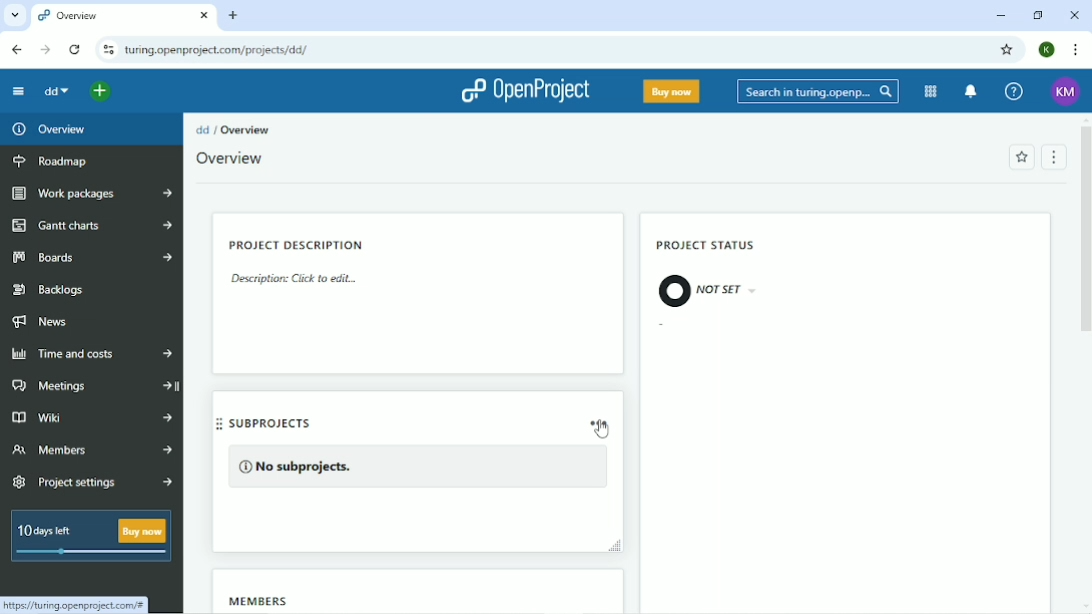 The image size is (1092, 614). What do you see at coordinates (18, 93) in the screenshot?
I see `Collpase project menu` at bounding box center [18, 93].